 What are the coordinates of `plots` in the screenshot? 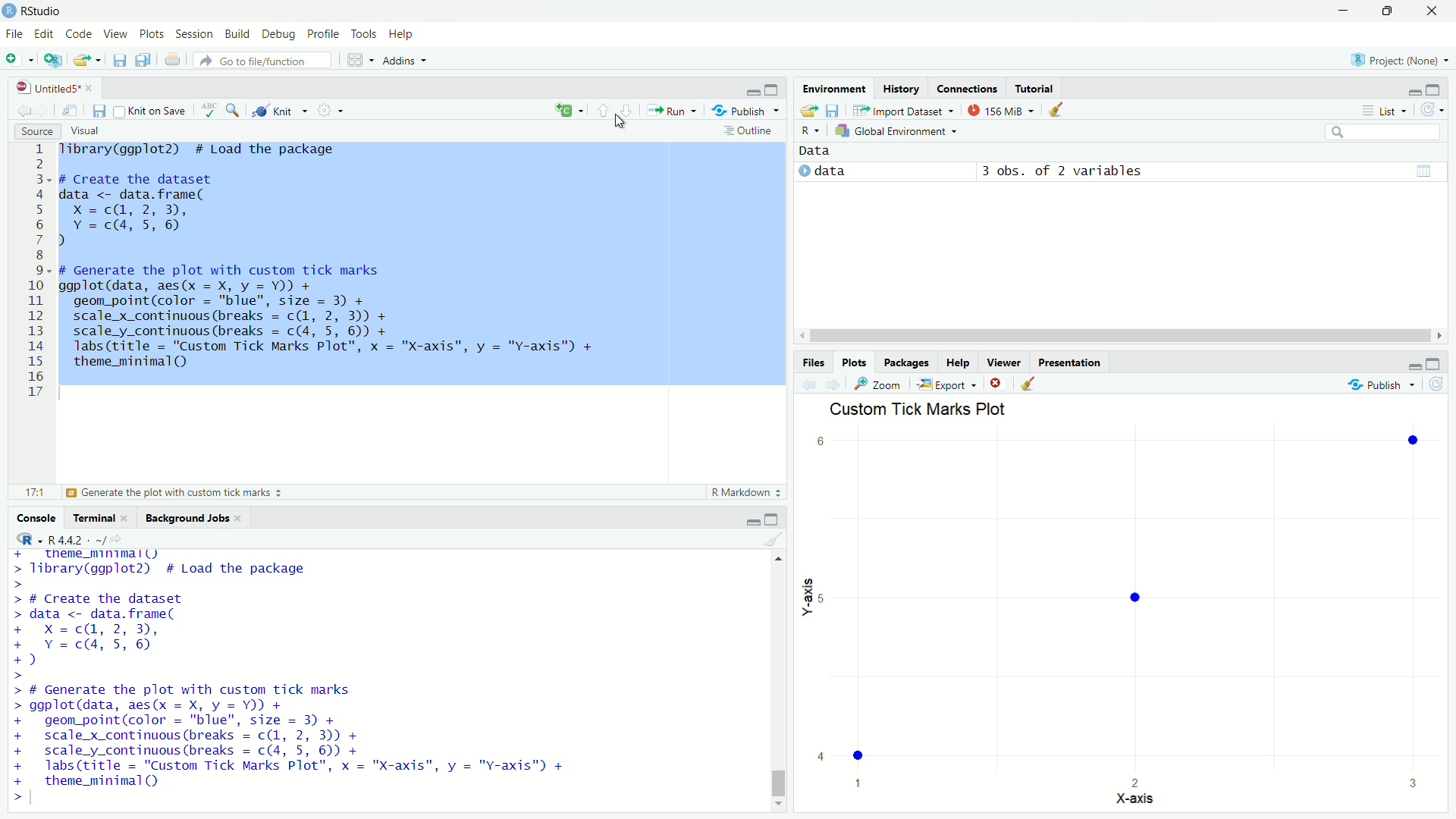 It's located at (855, 362).